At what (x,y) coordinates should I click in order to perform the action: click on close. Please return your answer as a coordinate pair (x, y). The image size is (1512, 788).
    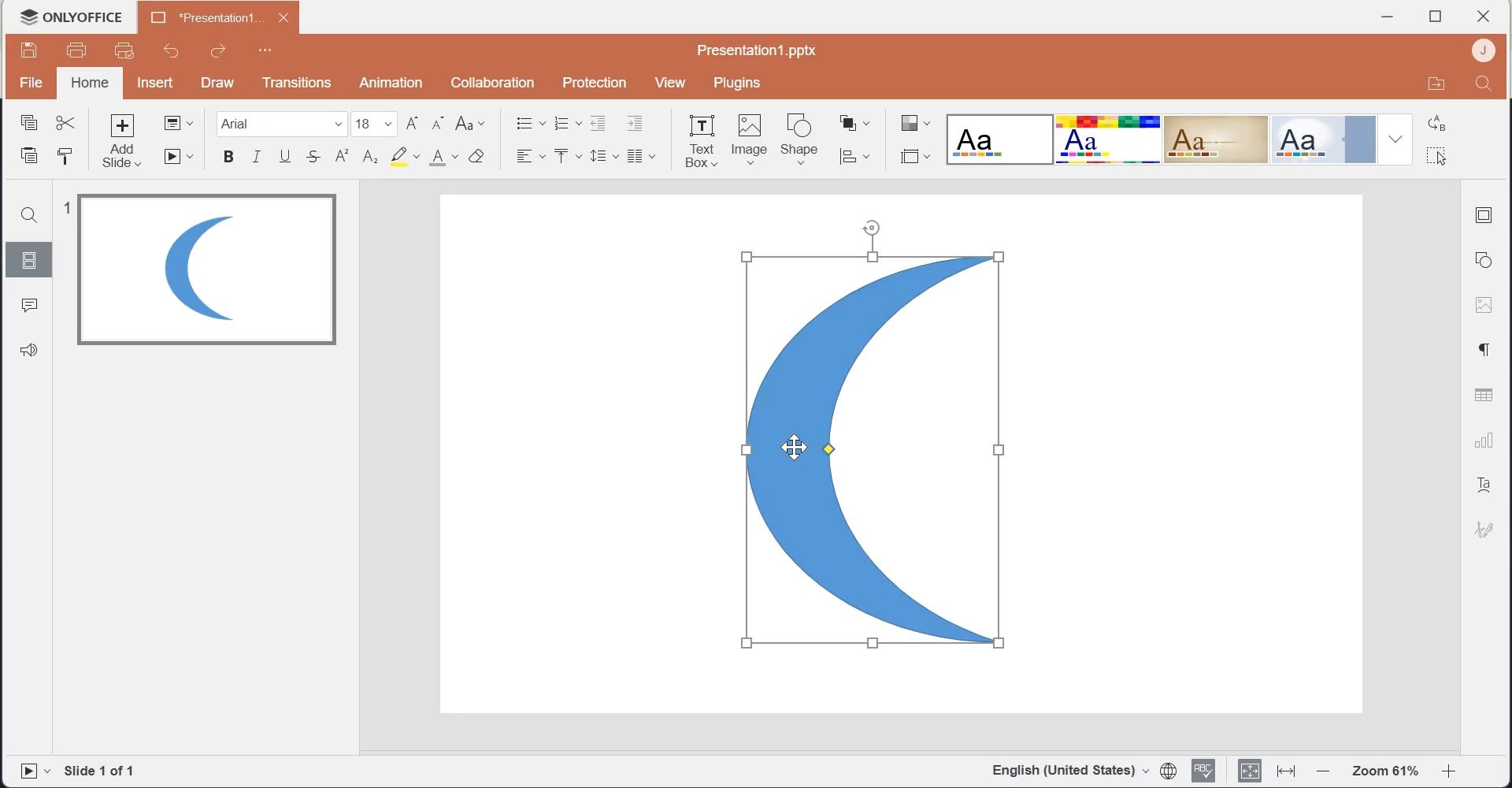
    Looking at the image, I should click on (1483, 16).